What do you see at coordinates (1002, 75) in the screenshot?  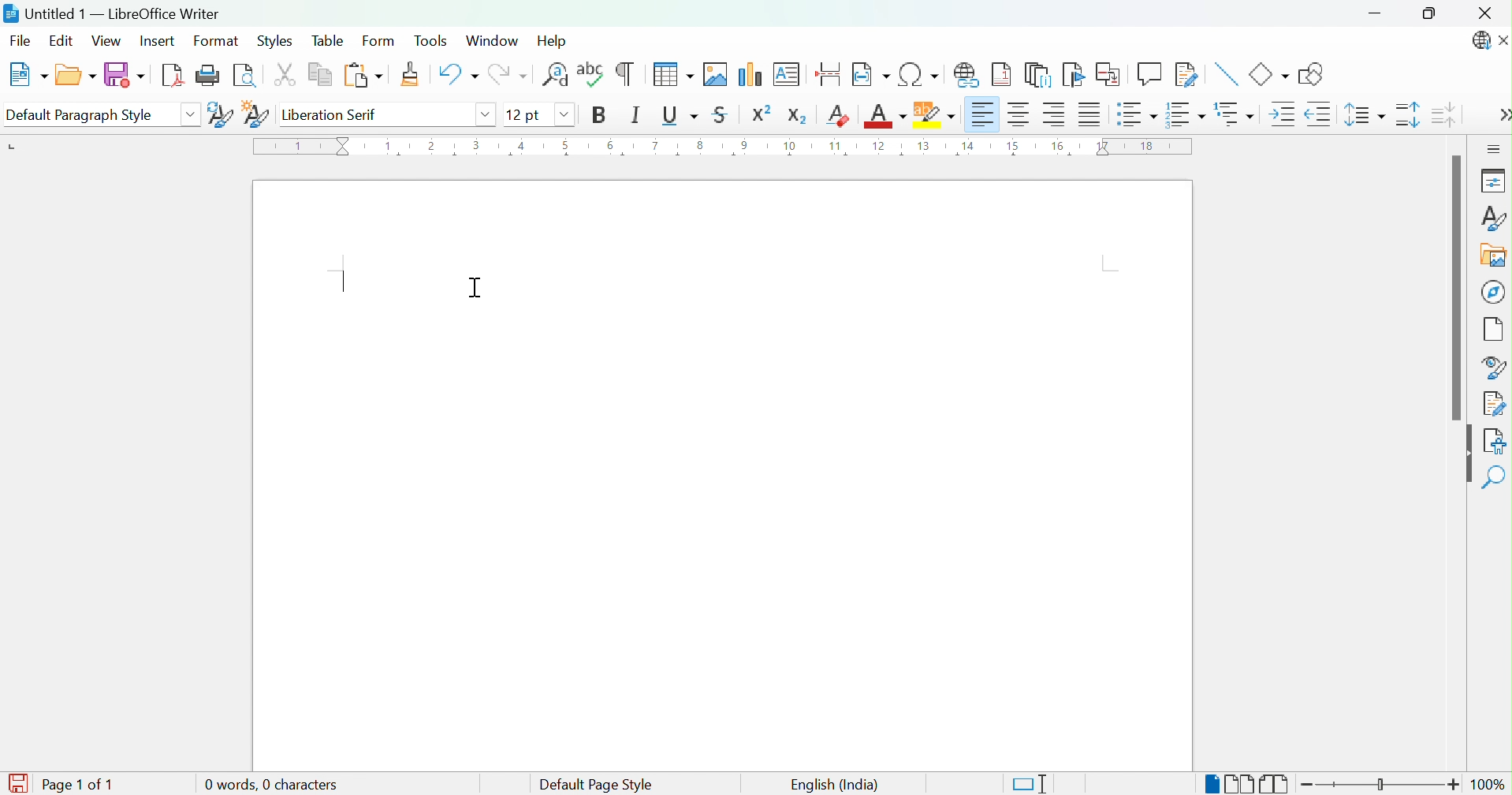 I see `Insert Footnote` at bounding box center [1002, 75].